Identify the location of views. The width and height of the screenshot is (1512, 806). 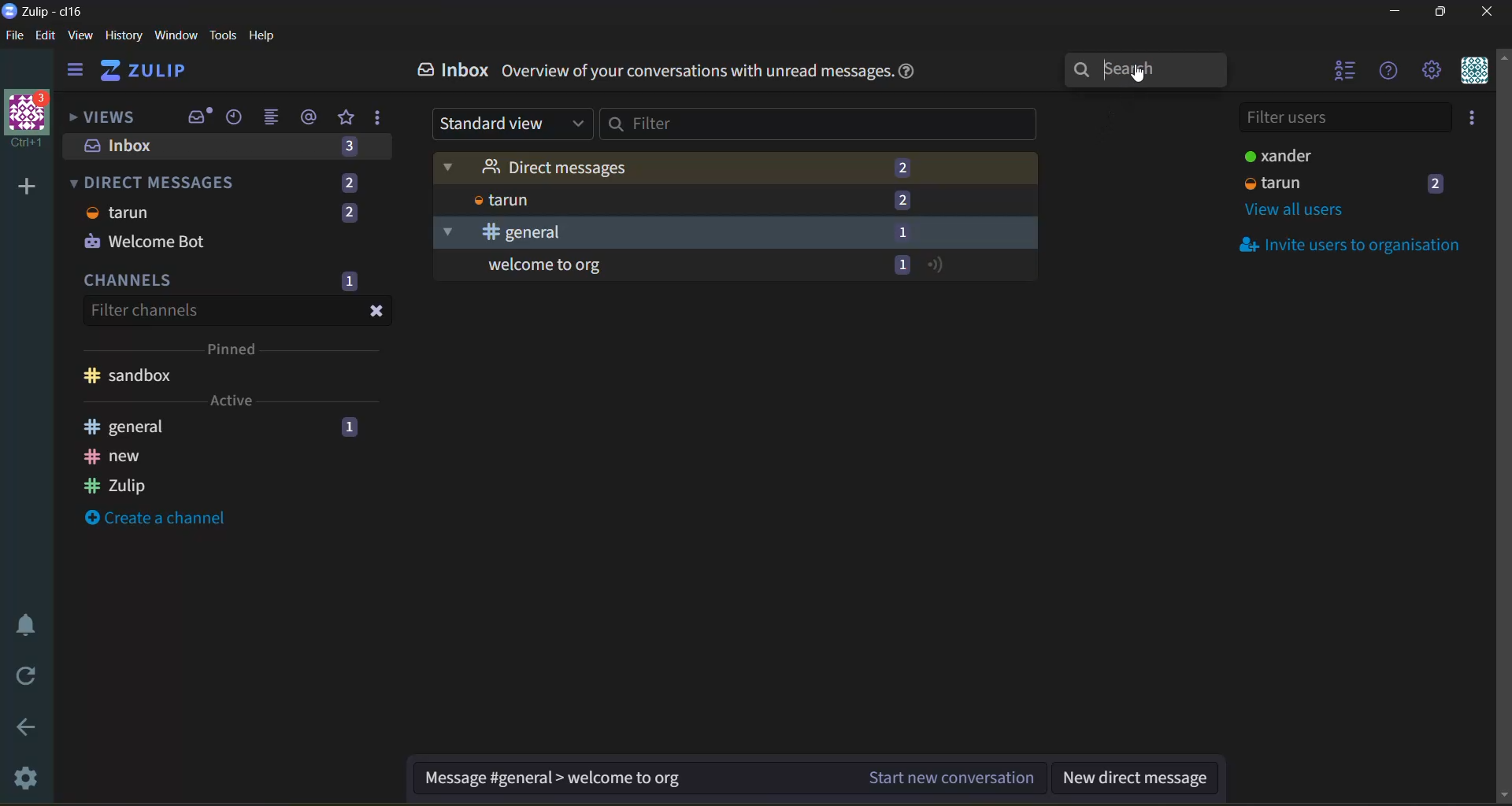
(109, 118).